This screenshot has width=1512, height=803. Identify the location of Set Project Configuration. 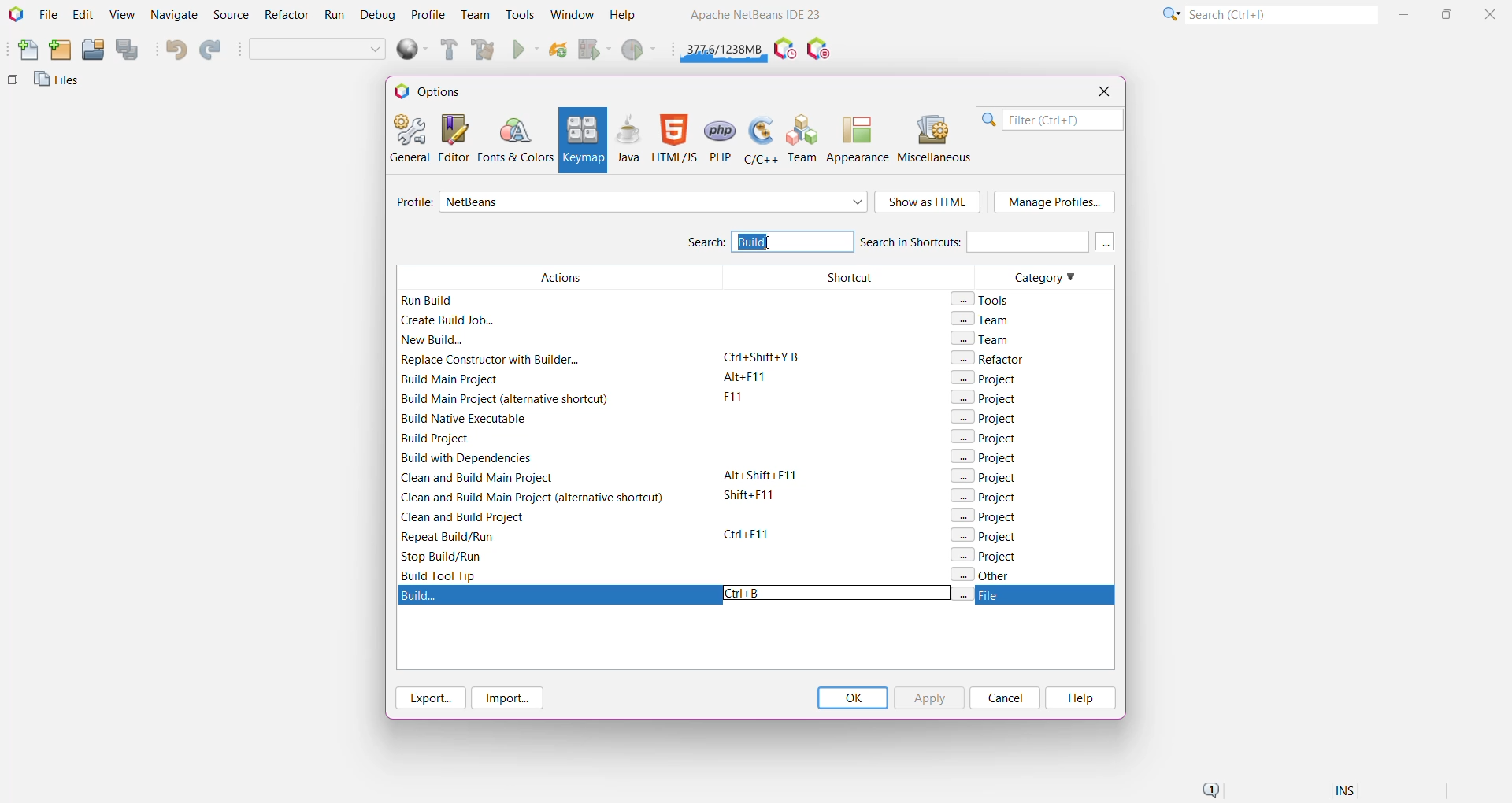
(318, 50).